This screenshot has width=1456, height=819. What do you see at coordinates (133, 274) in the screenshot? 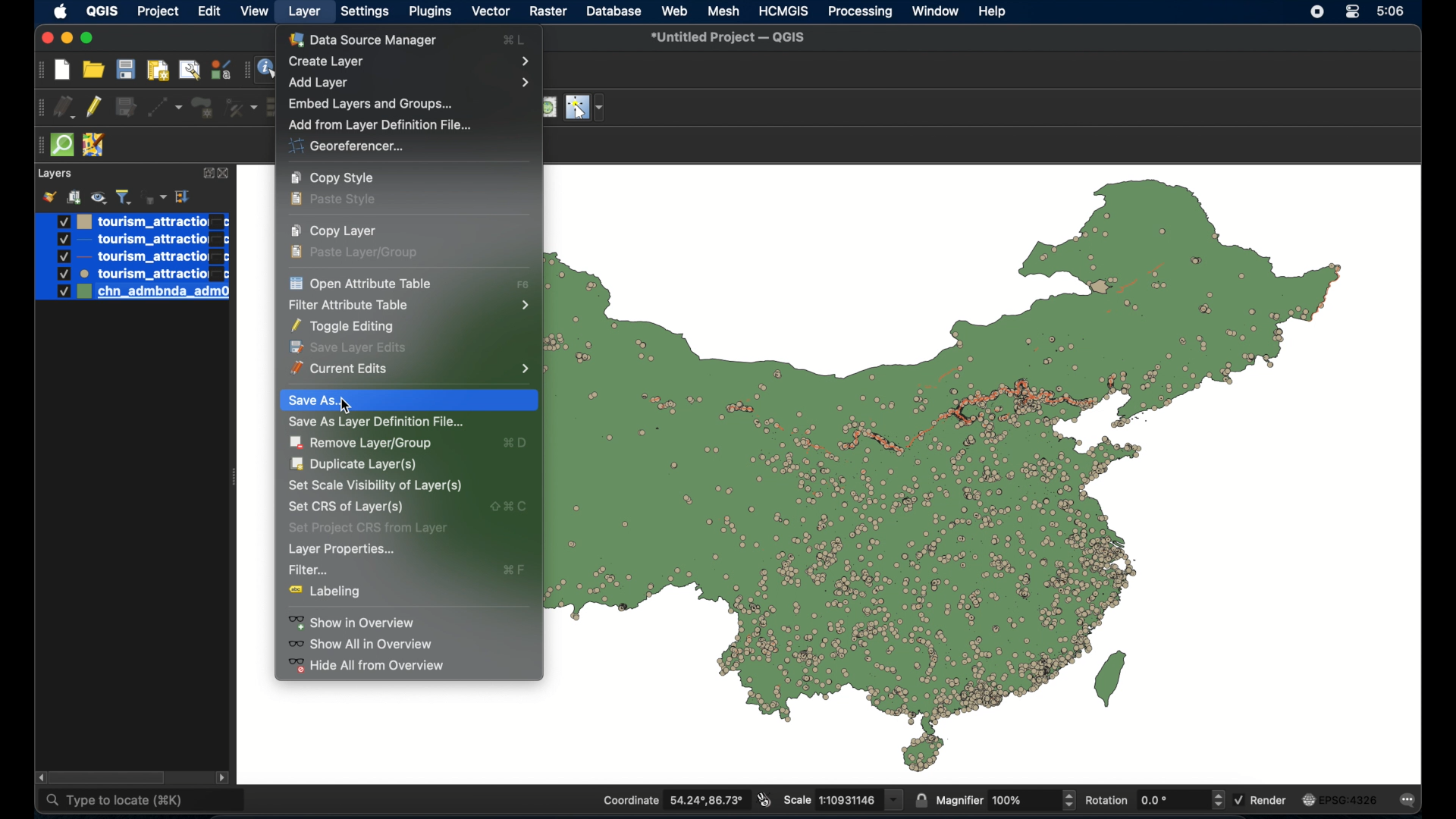
I see `layer 4` at bounding box center [133, 274].